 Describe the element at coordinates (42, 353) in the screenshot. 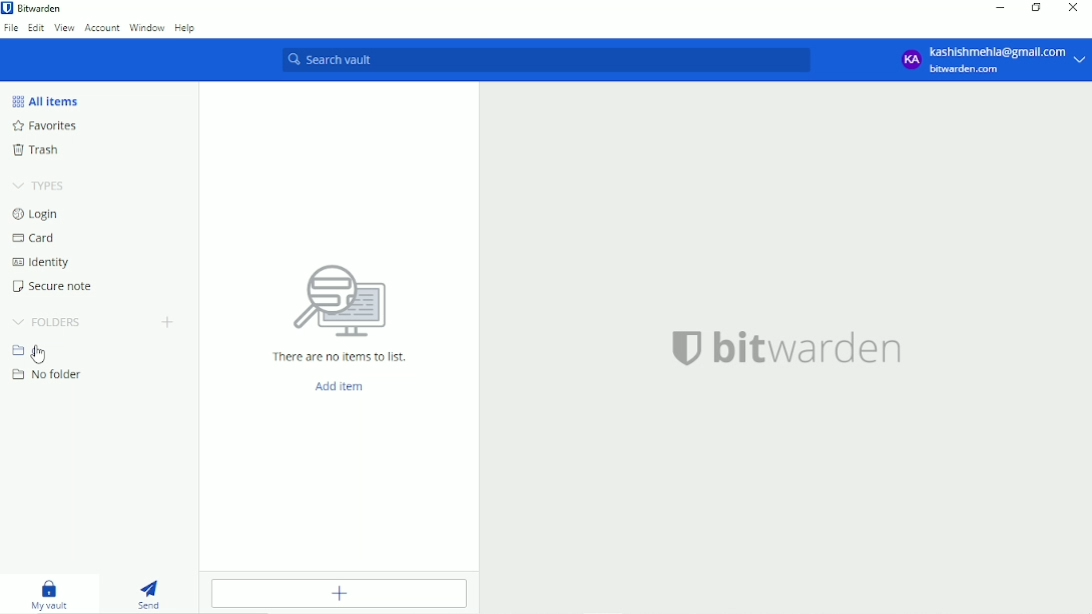

I see `cursor` at that location.